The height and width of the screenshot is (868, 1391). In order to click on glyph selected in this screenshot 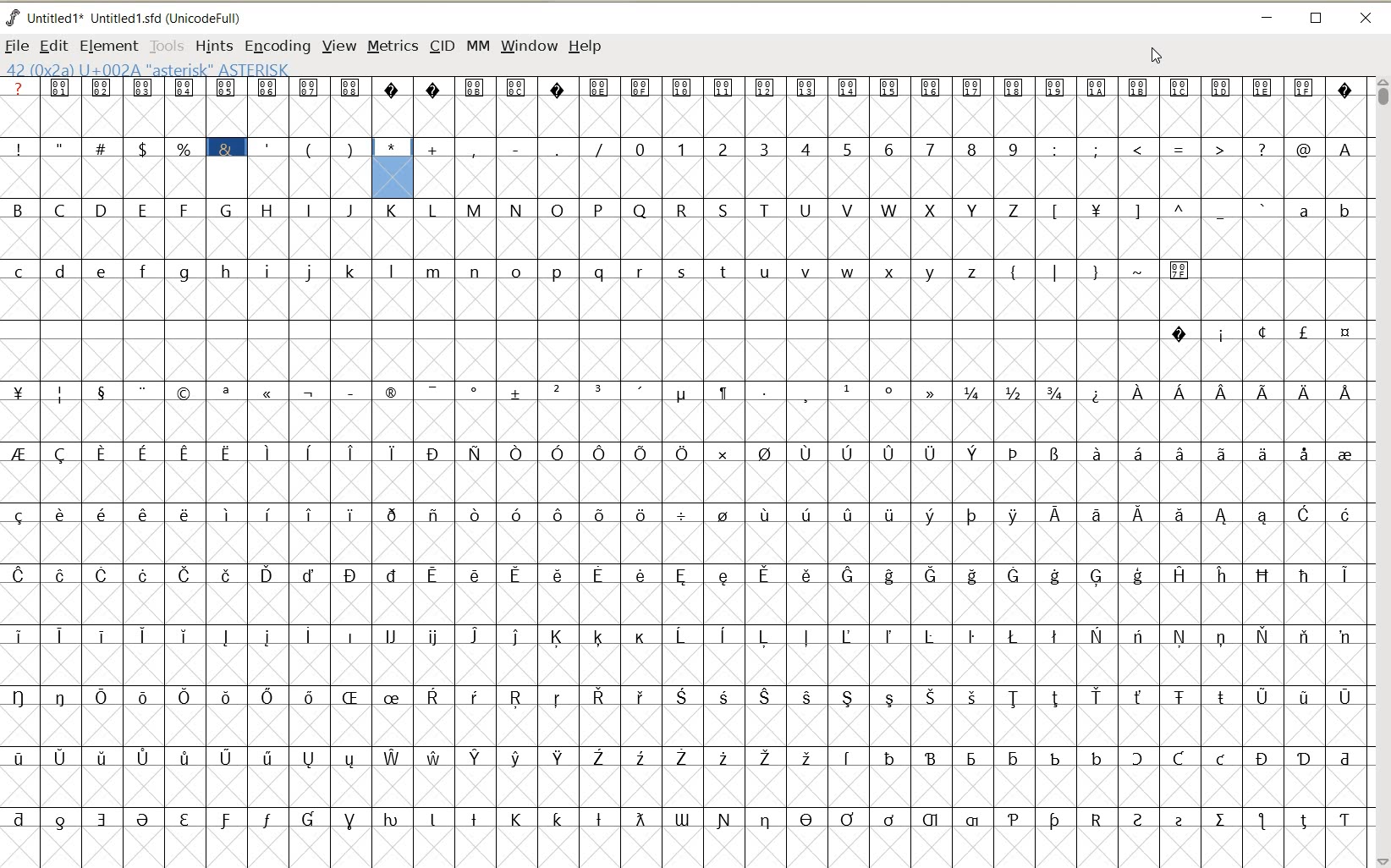, I will do `click(393, 168)`.